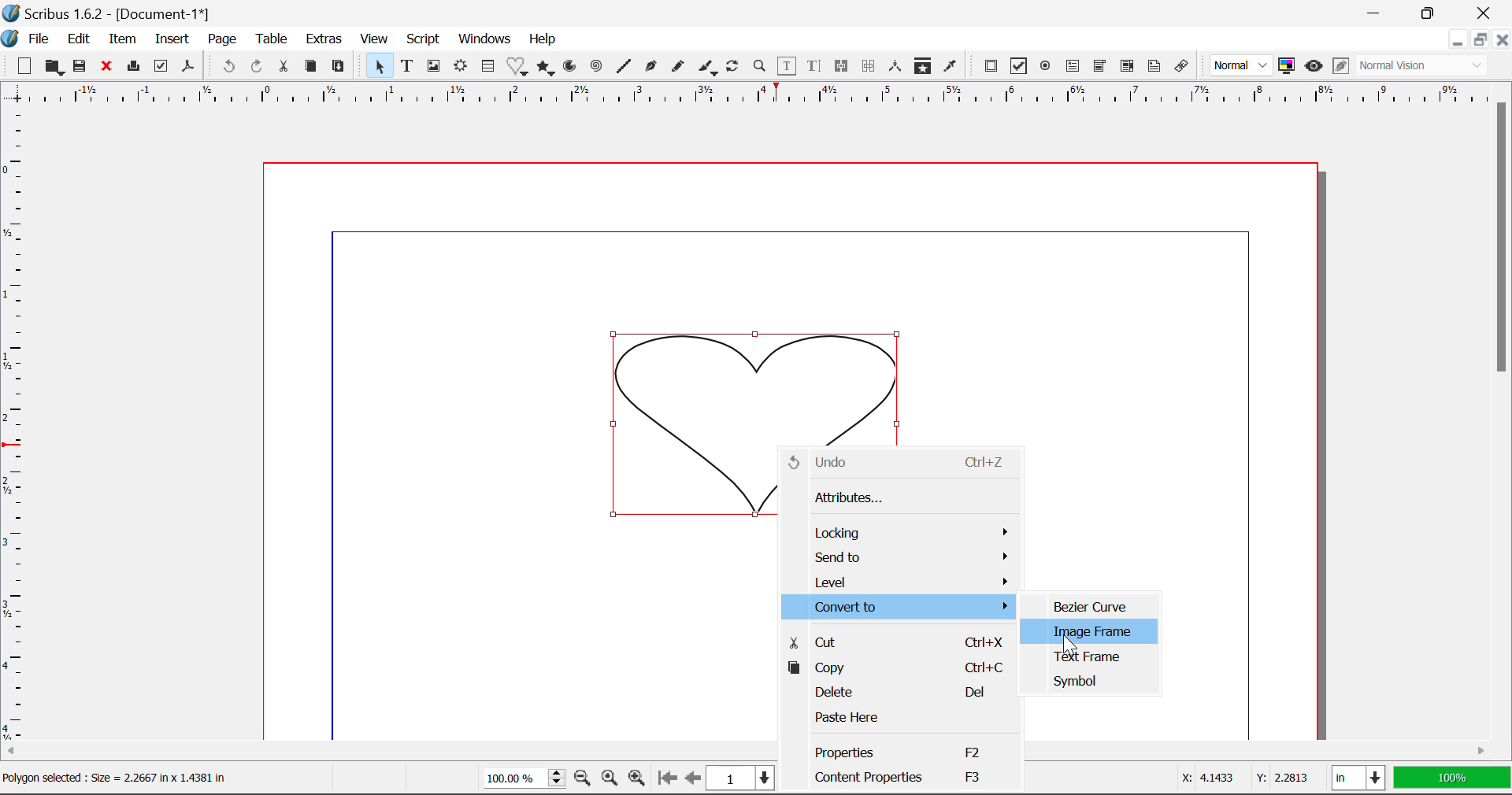 The image size is (1512, 795). I want to click on Open, so click(55, 67).